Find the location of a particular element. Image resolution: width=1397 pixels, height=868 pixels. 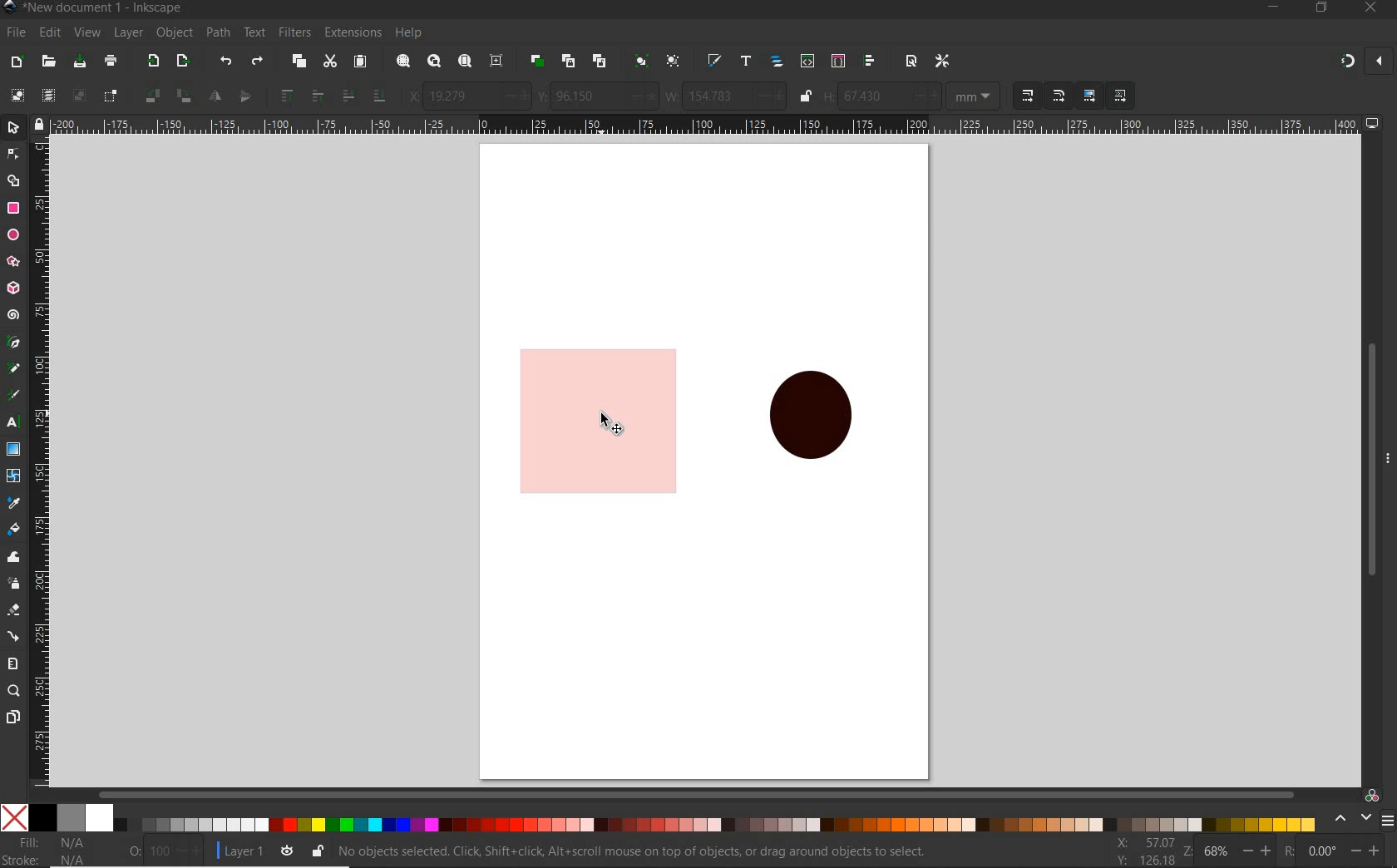

export is located at coordinates (153, 60).